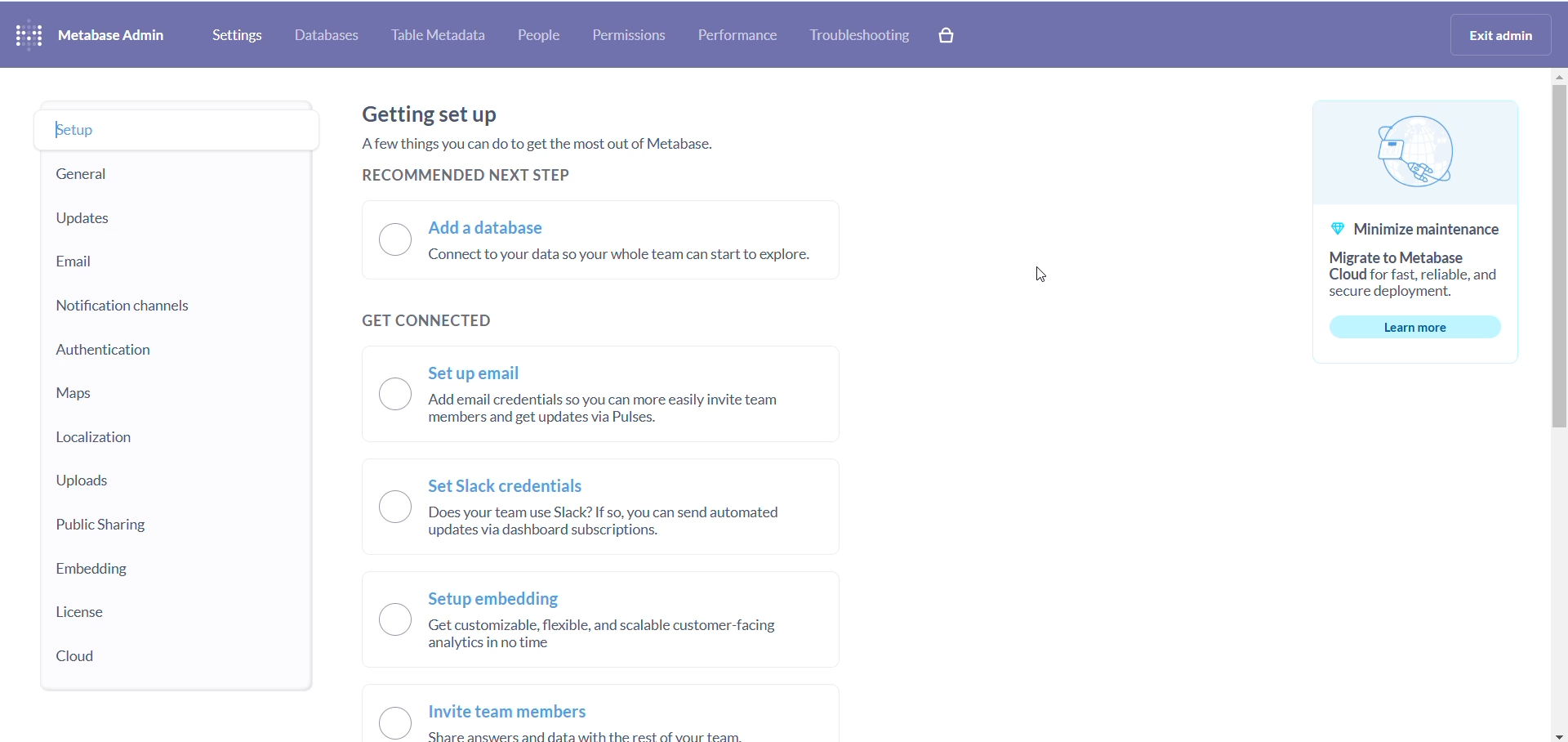  What do you see at coordinates (1401, 228) in the screenshot?
I see `minimize maintenance` at bounding box center [1401, 228].